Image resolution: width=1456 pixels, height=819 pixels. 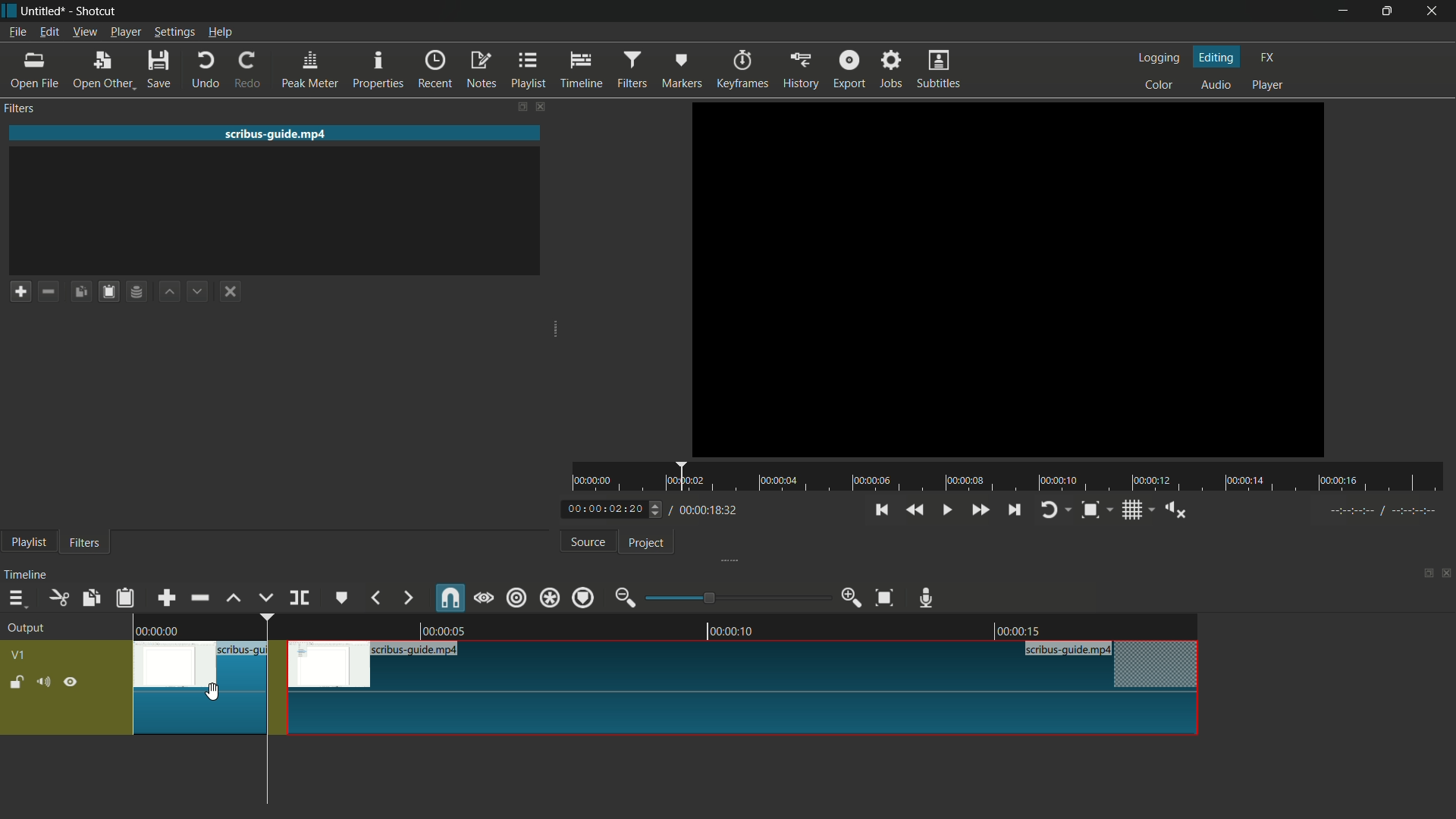 I want to click on v1, so click(x=19, y=655).